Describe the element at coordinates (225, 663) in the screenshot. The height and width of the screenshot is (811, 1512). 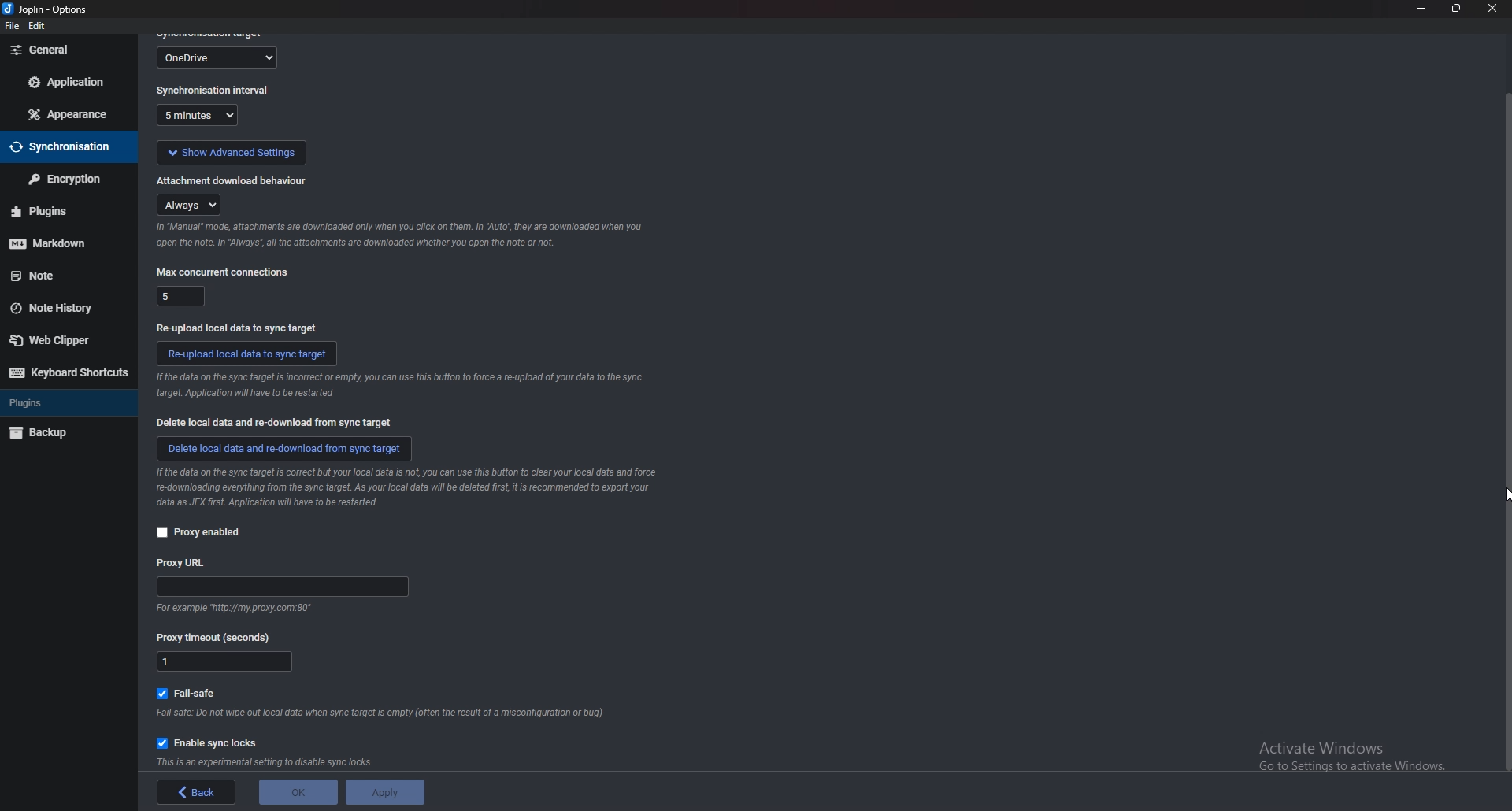
I see `proxy timeout` at that location.